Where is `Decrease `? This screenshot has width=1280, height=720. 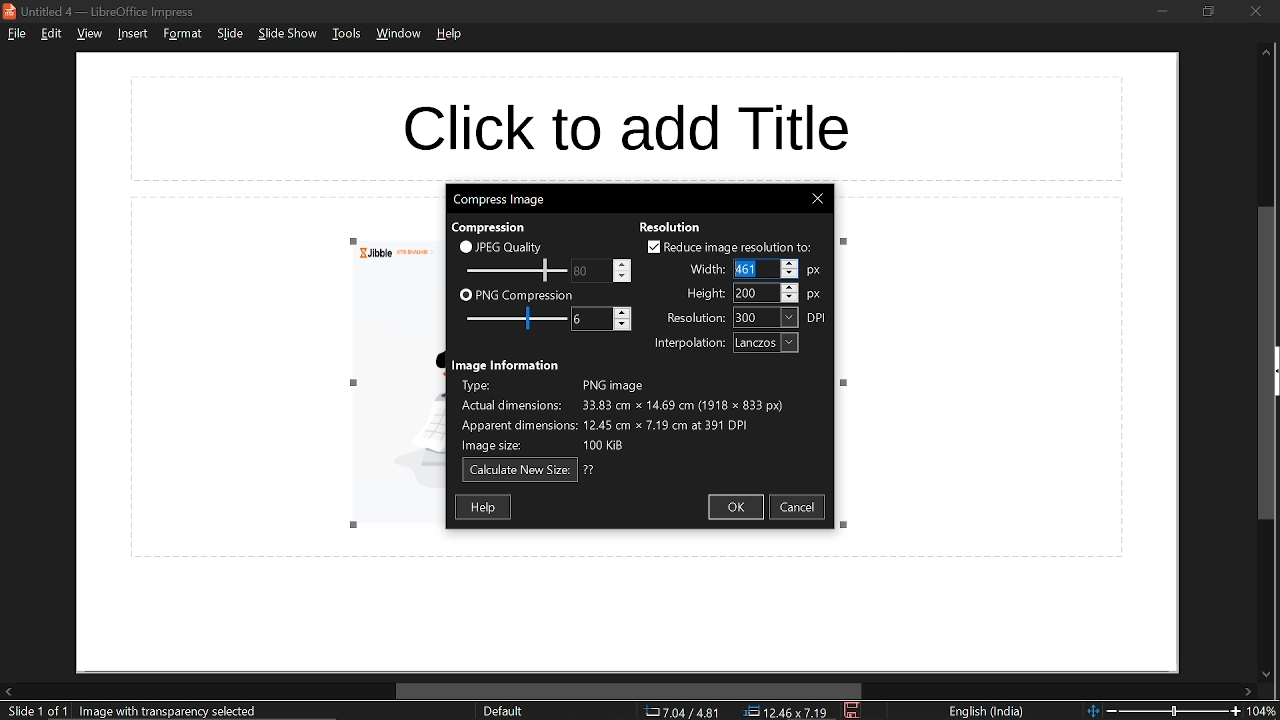 Decrease  is located at coordinates (790, 275).